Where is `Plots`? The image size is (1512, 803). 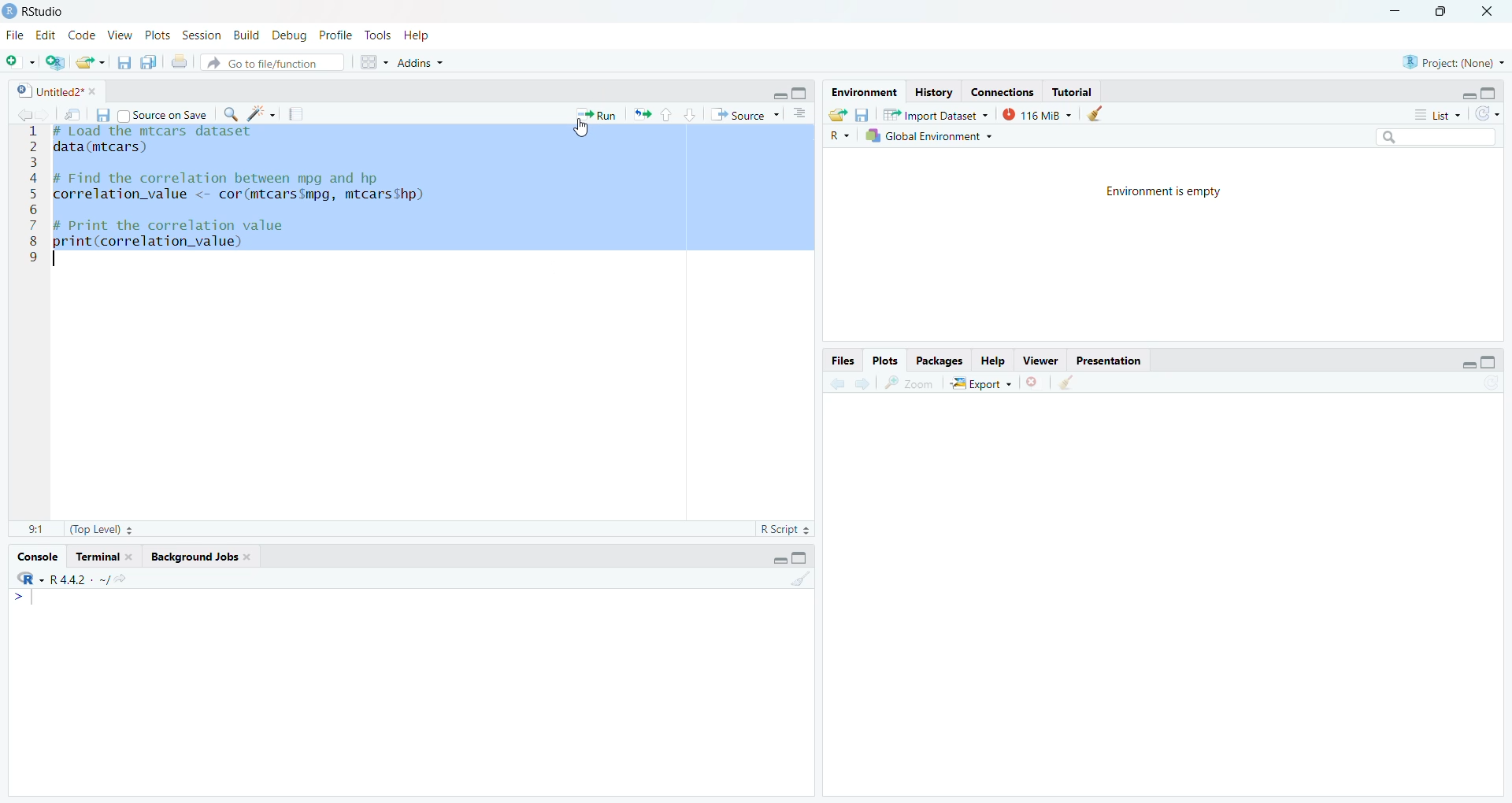 Plots is located at coordinates (157, 35).